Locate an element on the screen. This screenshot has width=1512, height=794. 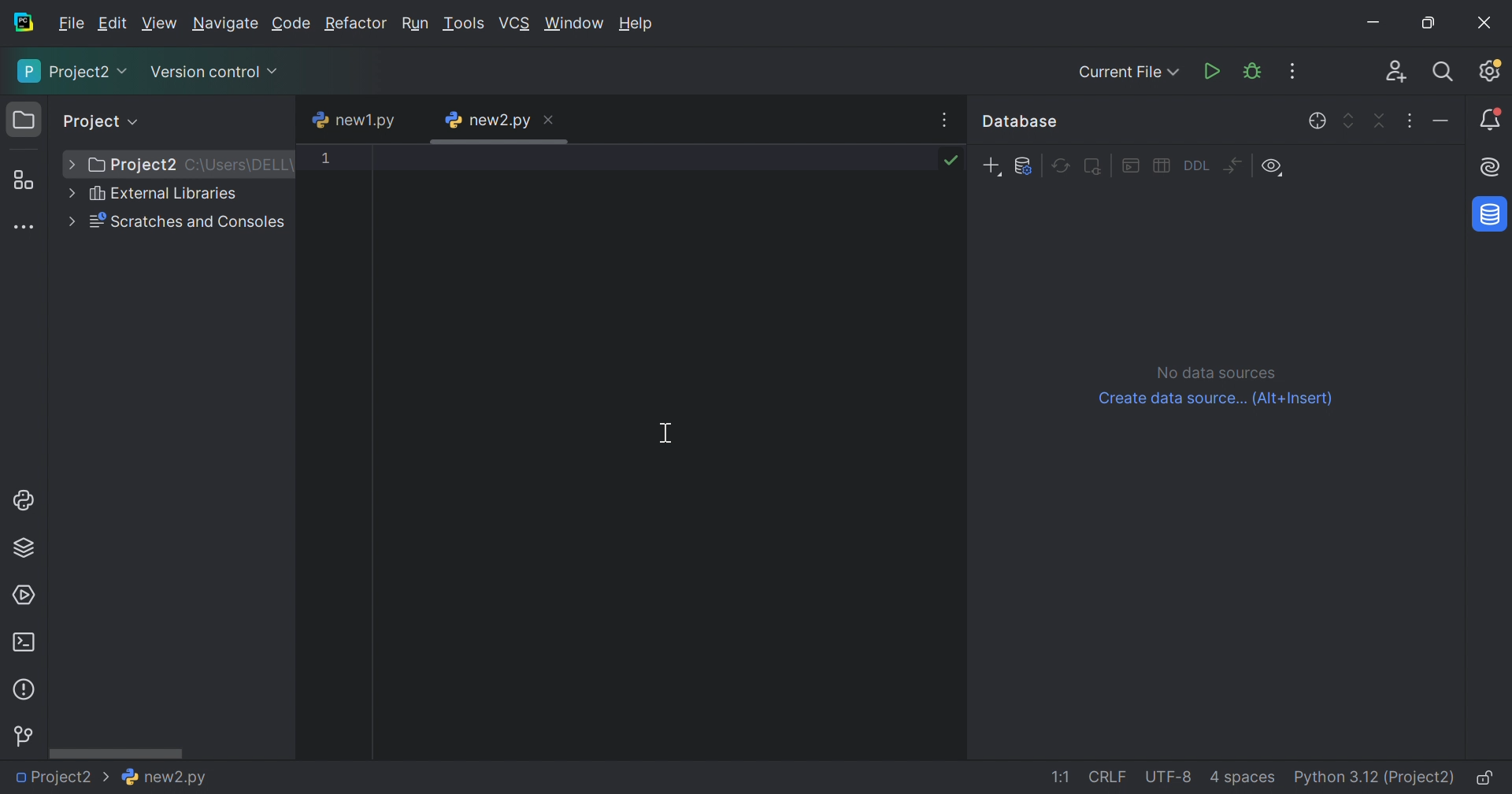
Data source properties is located at coordinates (1024, 166).